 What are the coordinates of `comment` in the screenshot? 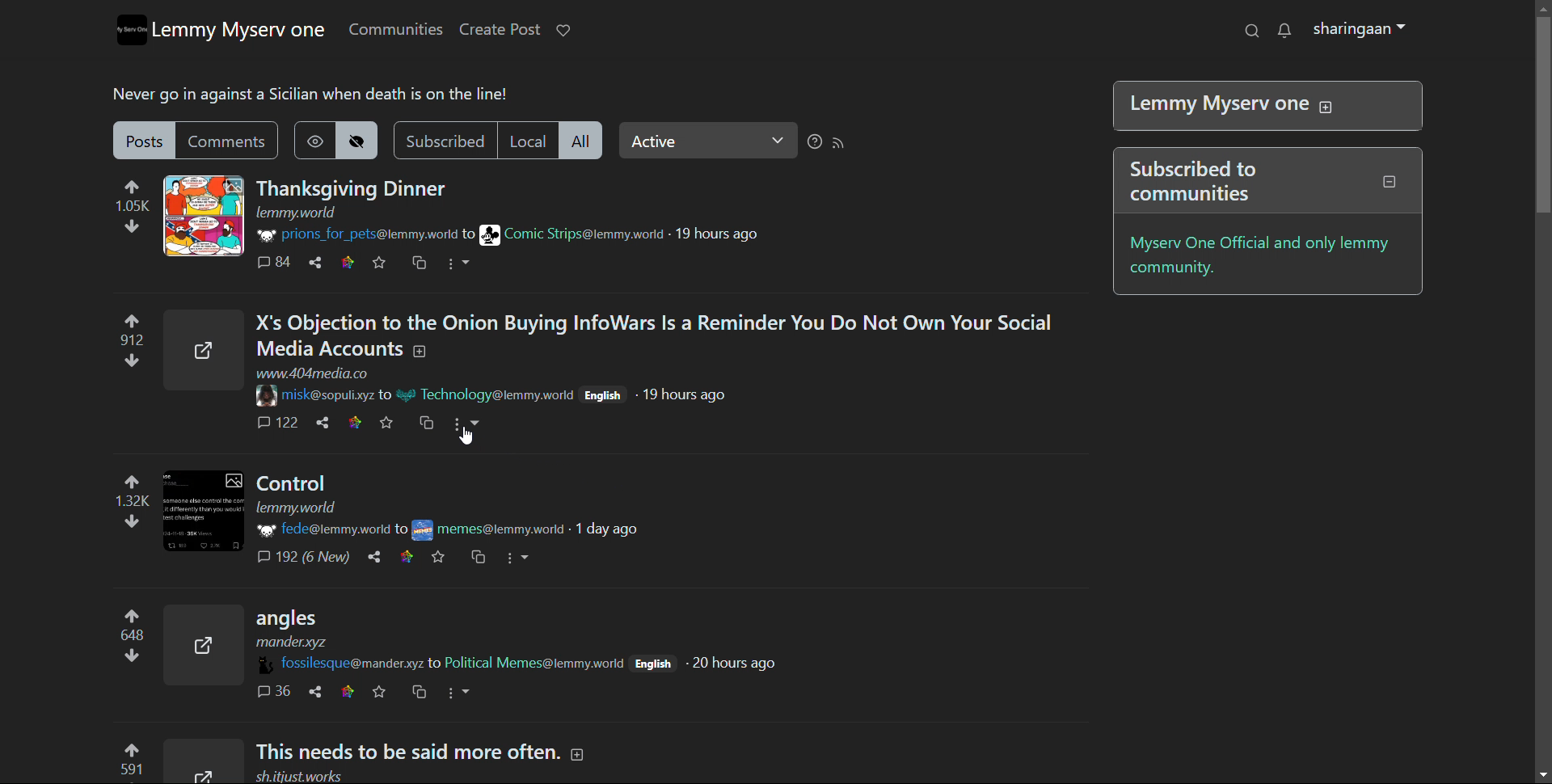 It's located at (272, 263).